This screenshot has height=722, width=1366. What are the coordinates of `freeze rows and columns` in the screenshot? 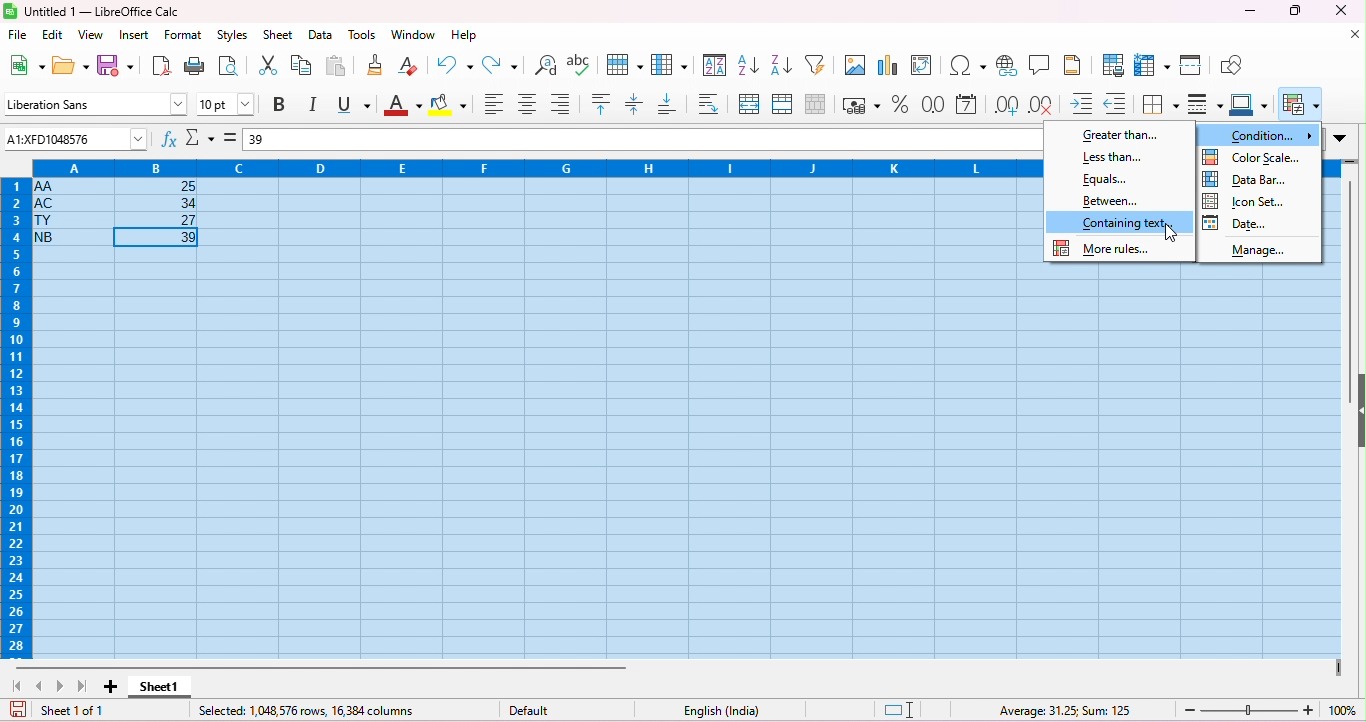 It's located at (1153, 64).